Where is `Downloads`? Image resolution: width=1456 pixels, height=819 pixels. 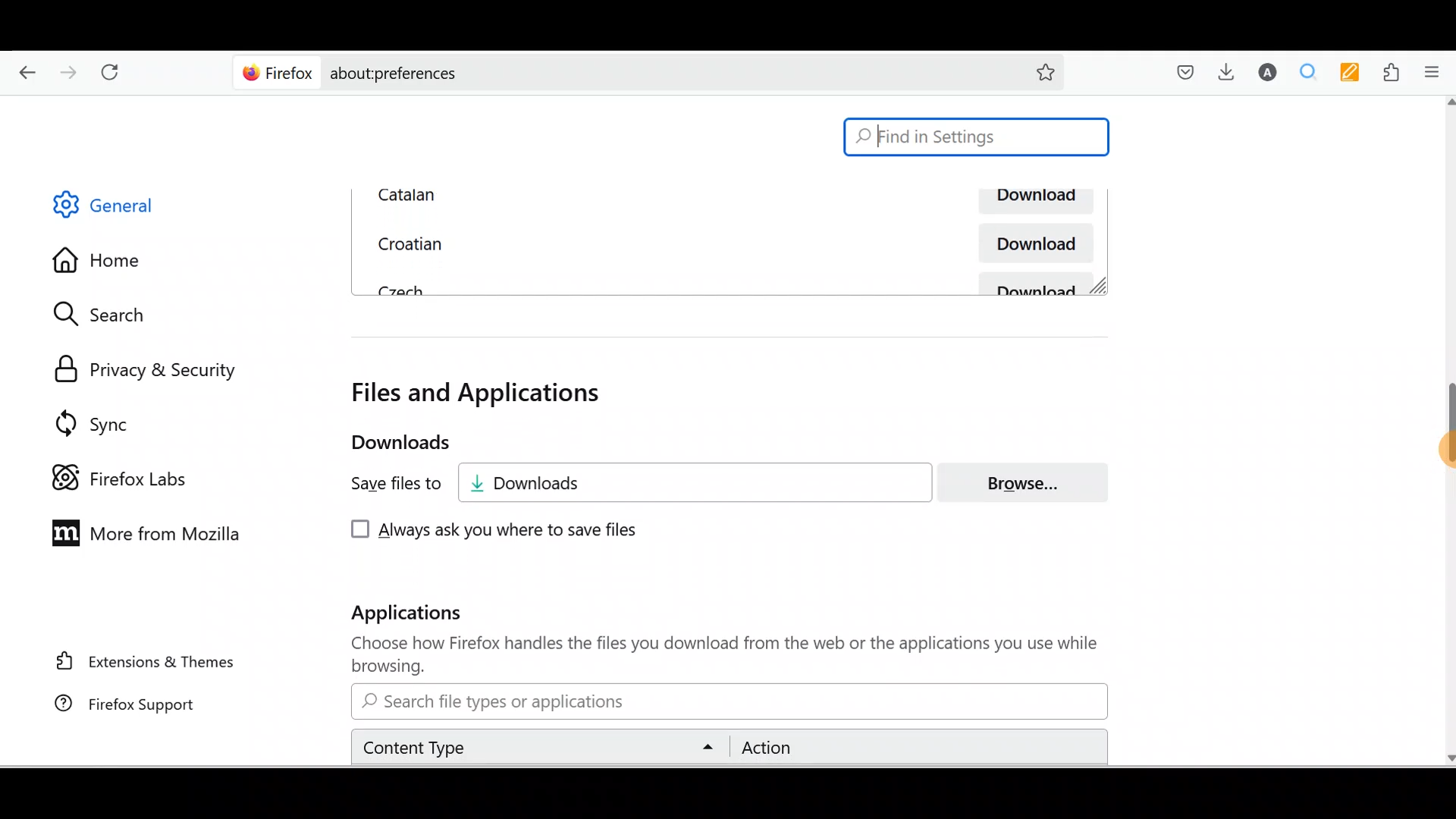
Downloads is located at coordinates (386, 443).